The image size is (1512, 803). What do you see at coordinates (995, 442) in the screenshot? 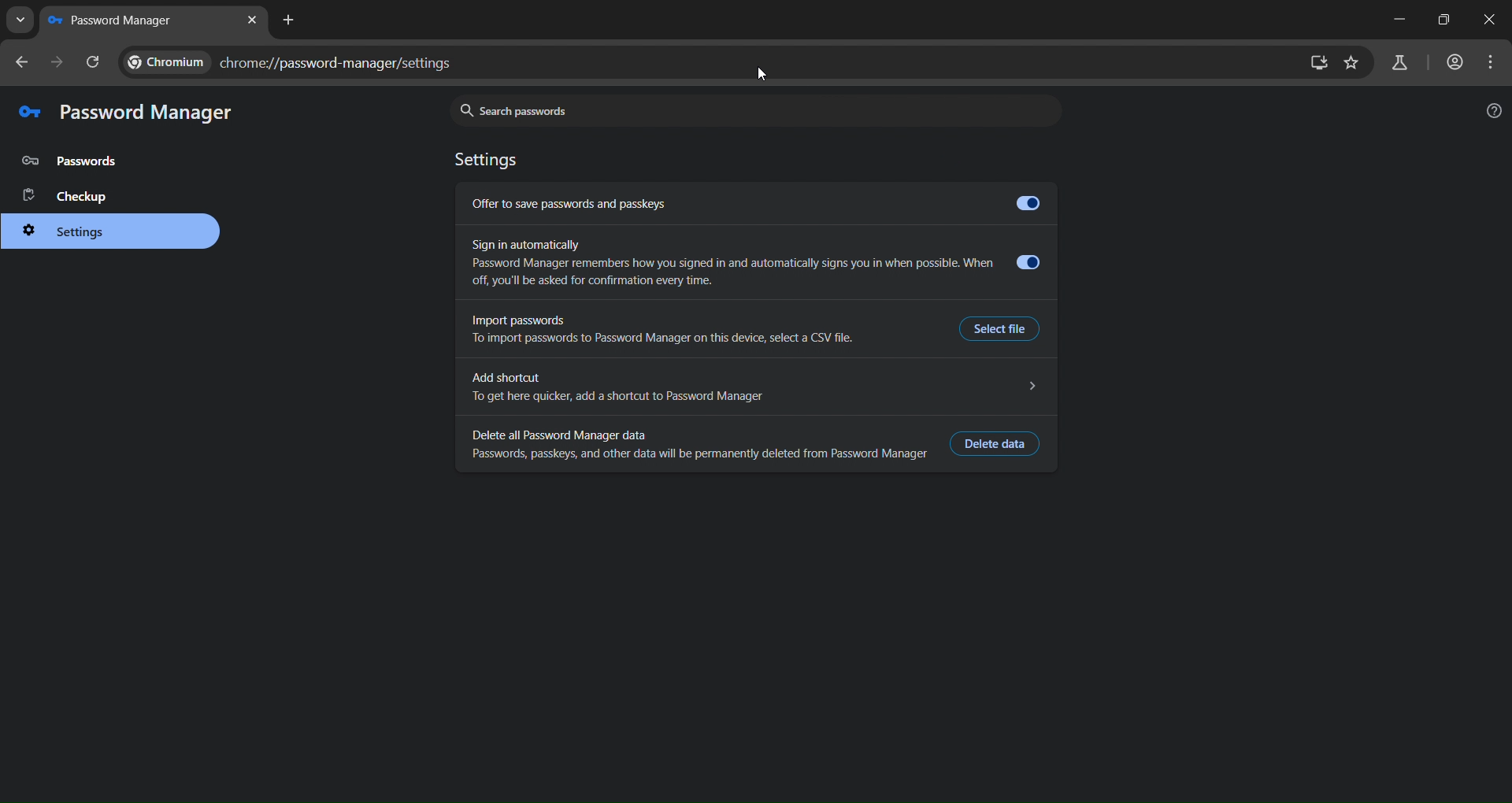
I see `delete data` at bounding box center [995, 442].